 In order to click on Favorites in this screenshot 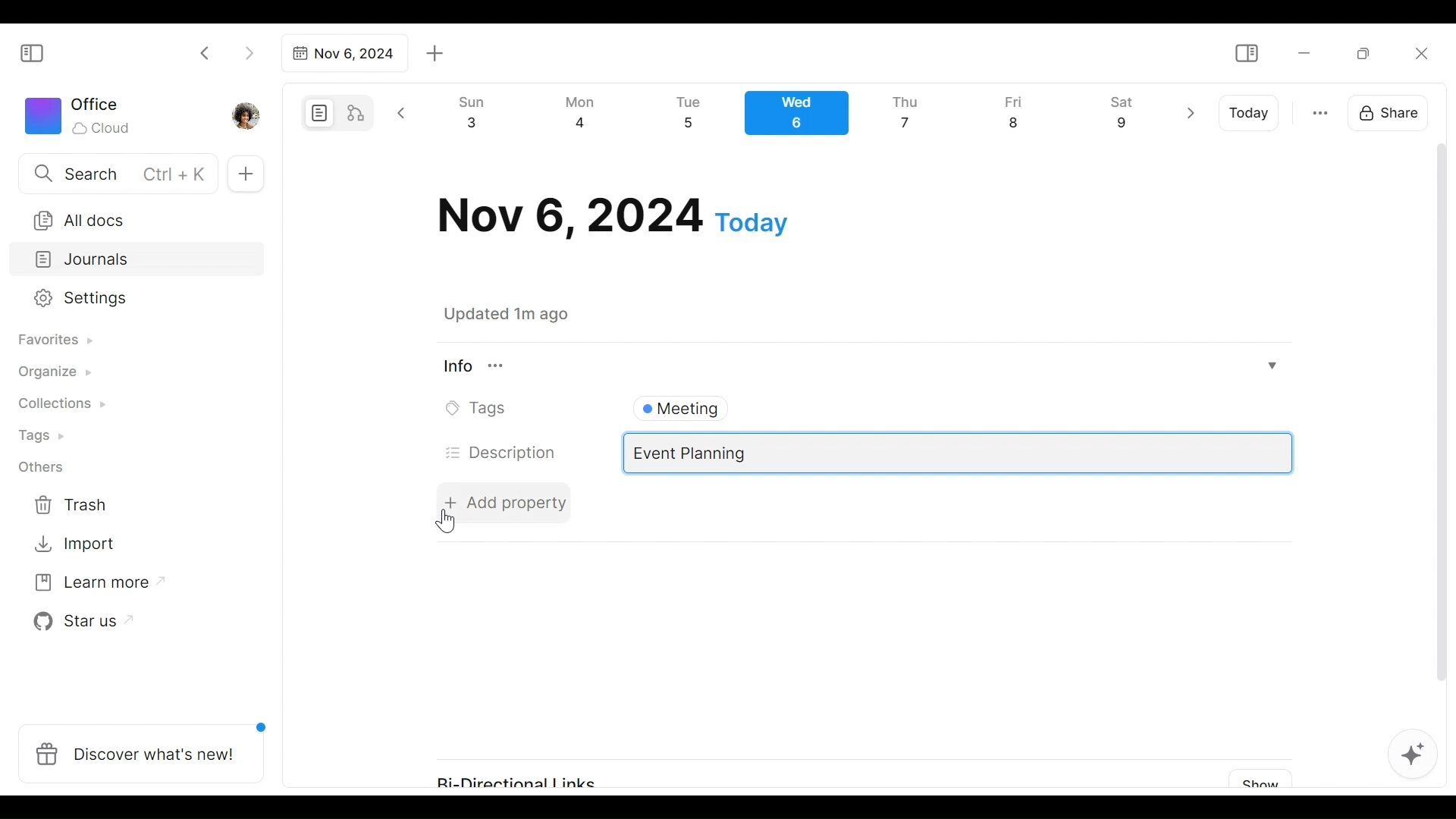, I will do `click(54, 340)`.